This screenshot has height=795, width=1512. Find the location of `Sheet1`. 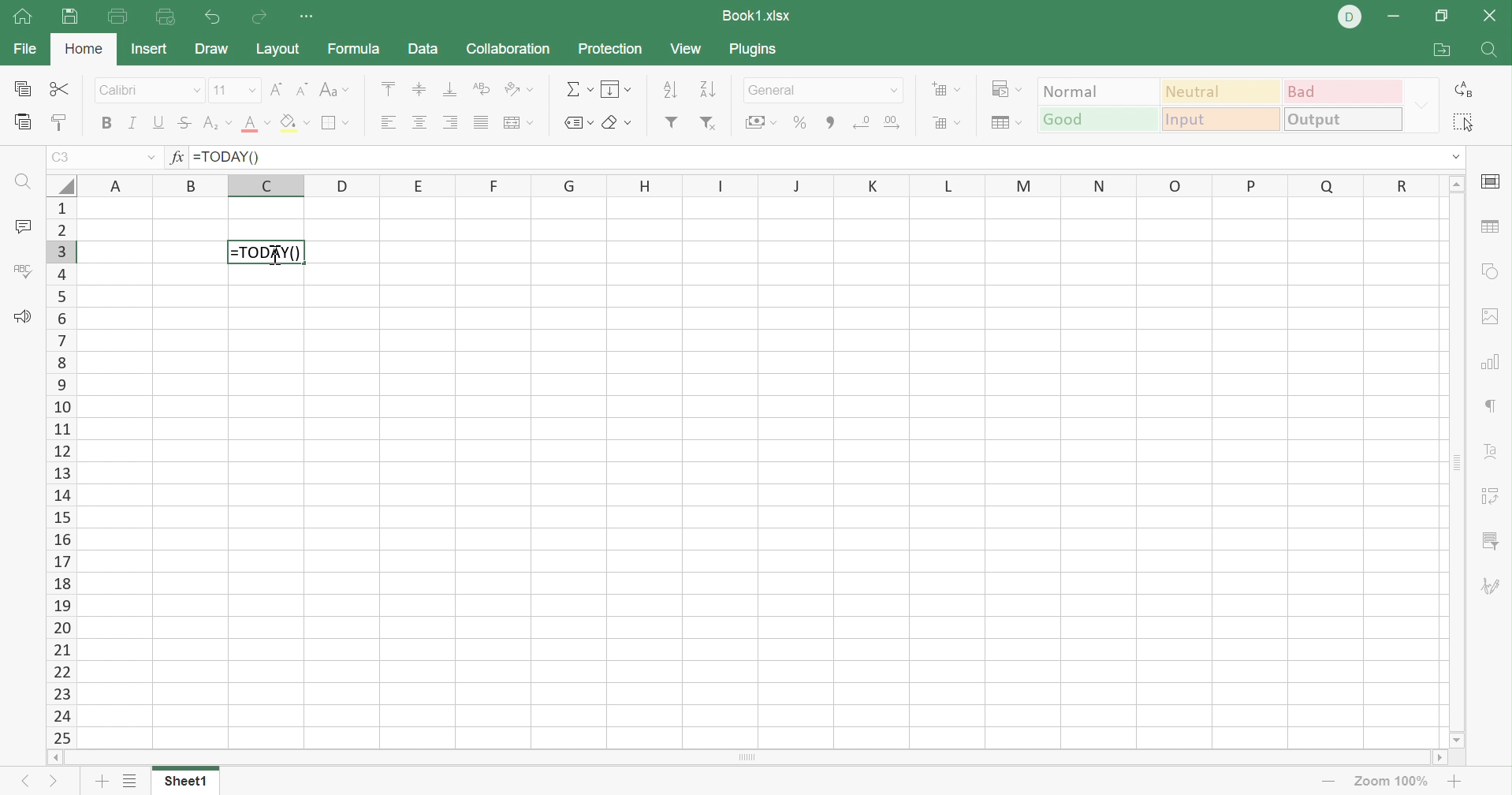

Sheet1 is located at coordinates (188, 782).